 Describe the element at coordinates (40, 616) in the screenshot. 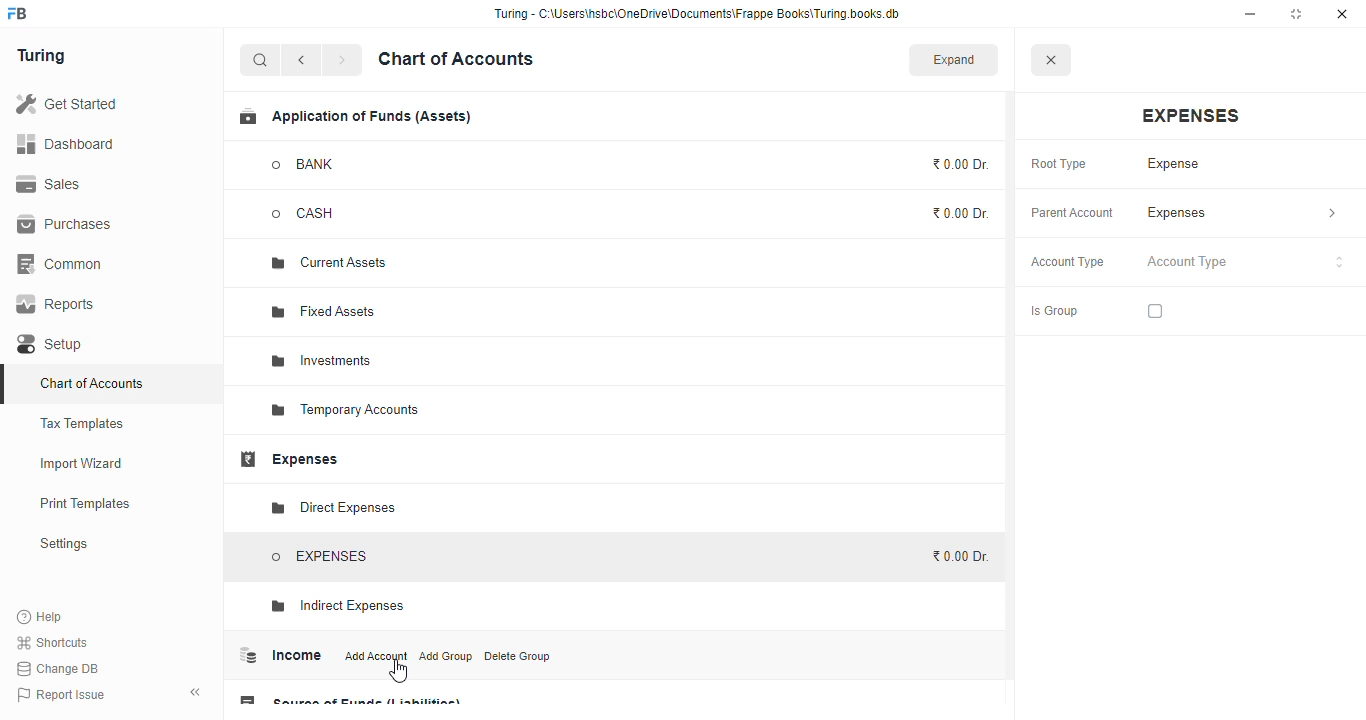

I see `help` at that location.